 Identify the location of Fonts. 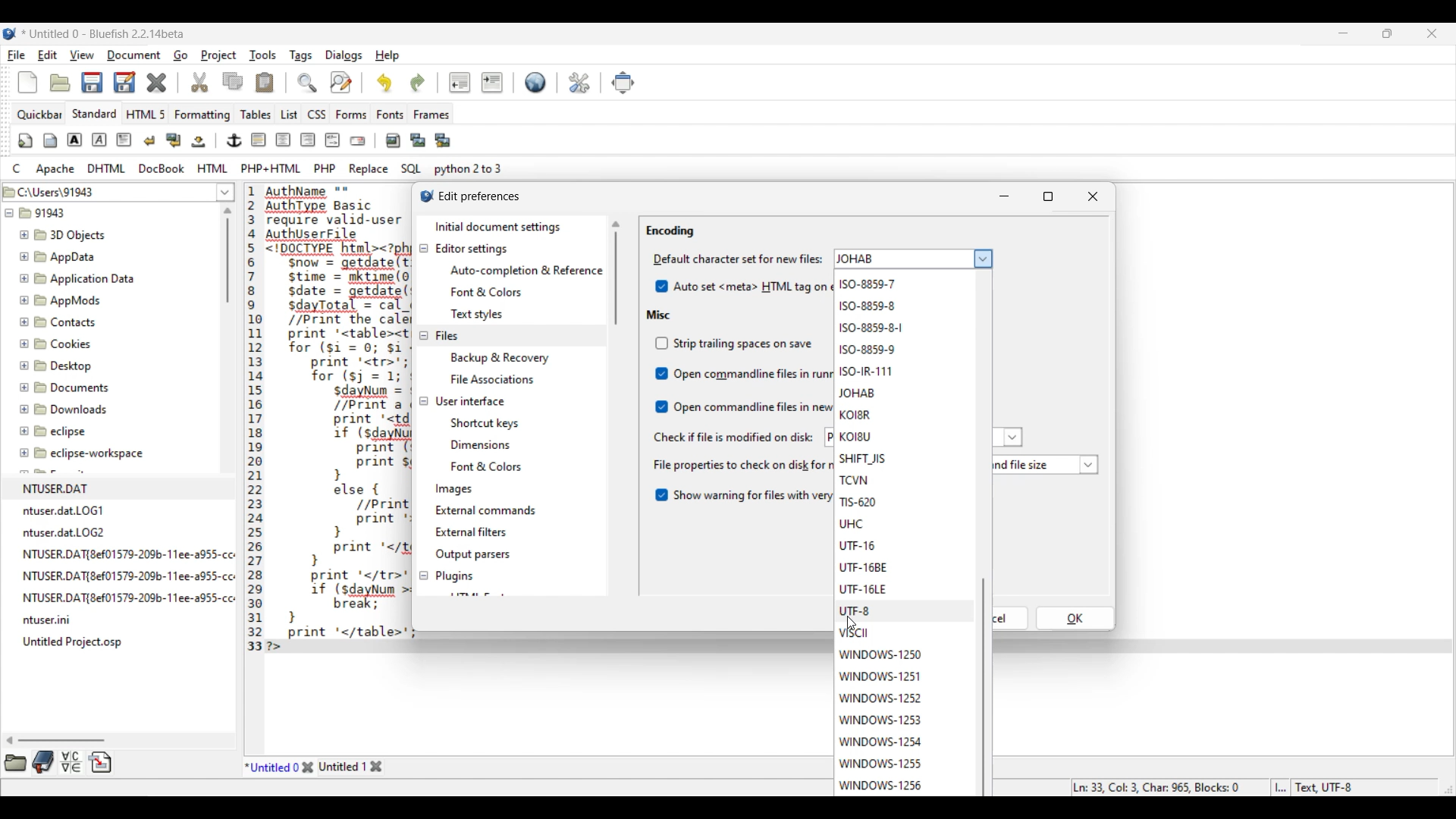
(391, 115).